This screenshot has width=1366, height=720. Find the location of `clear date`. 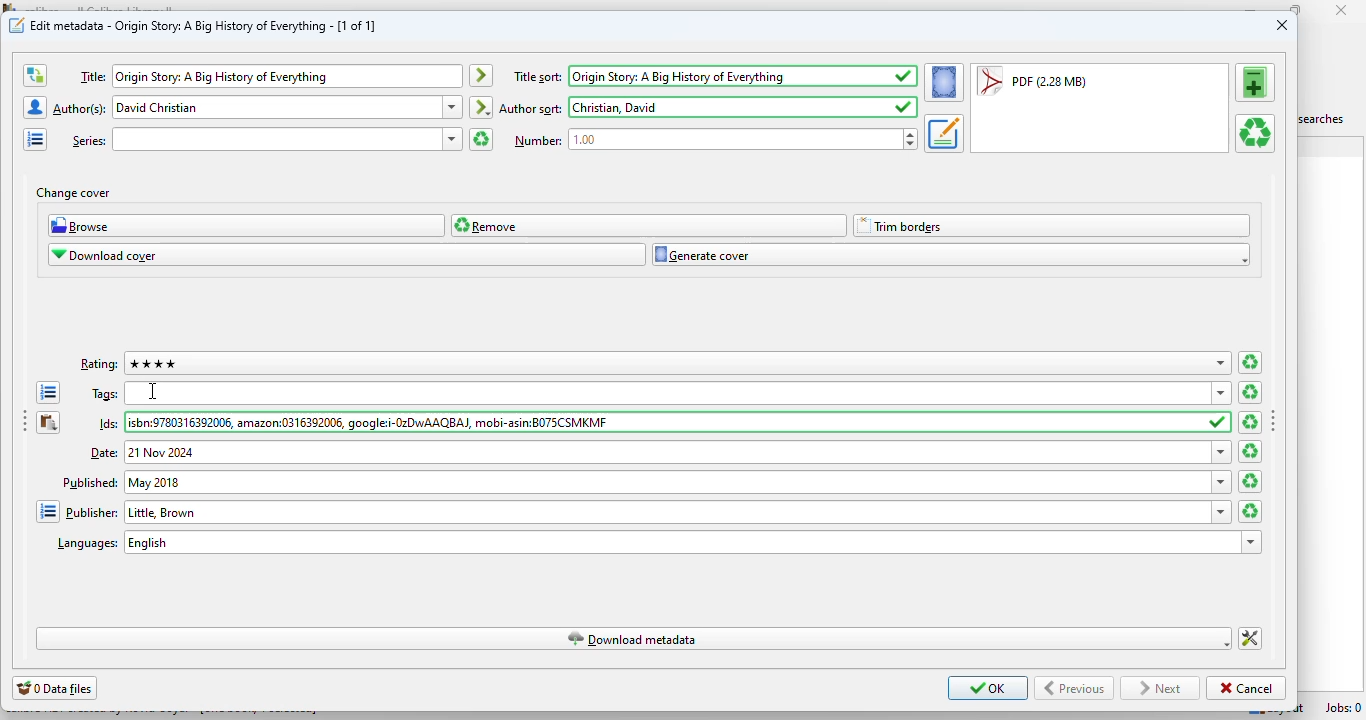

clear date is located at coordinates (1251, 481).